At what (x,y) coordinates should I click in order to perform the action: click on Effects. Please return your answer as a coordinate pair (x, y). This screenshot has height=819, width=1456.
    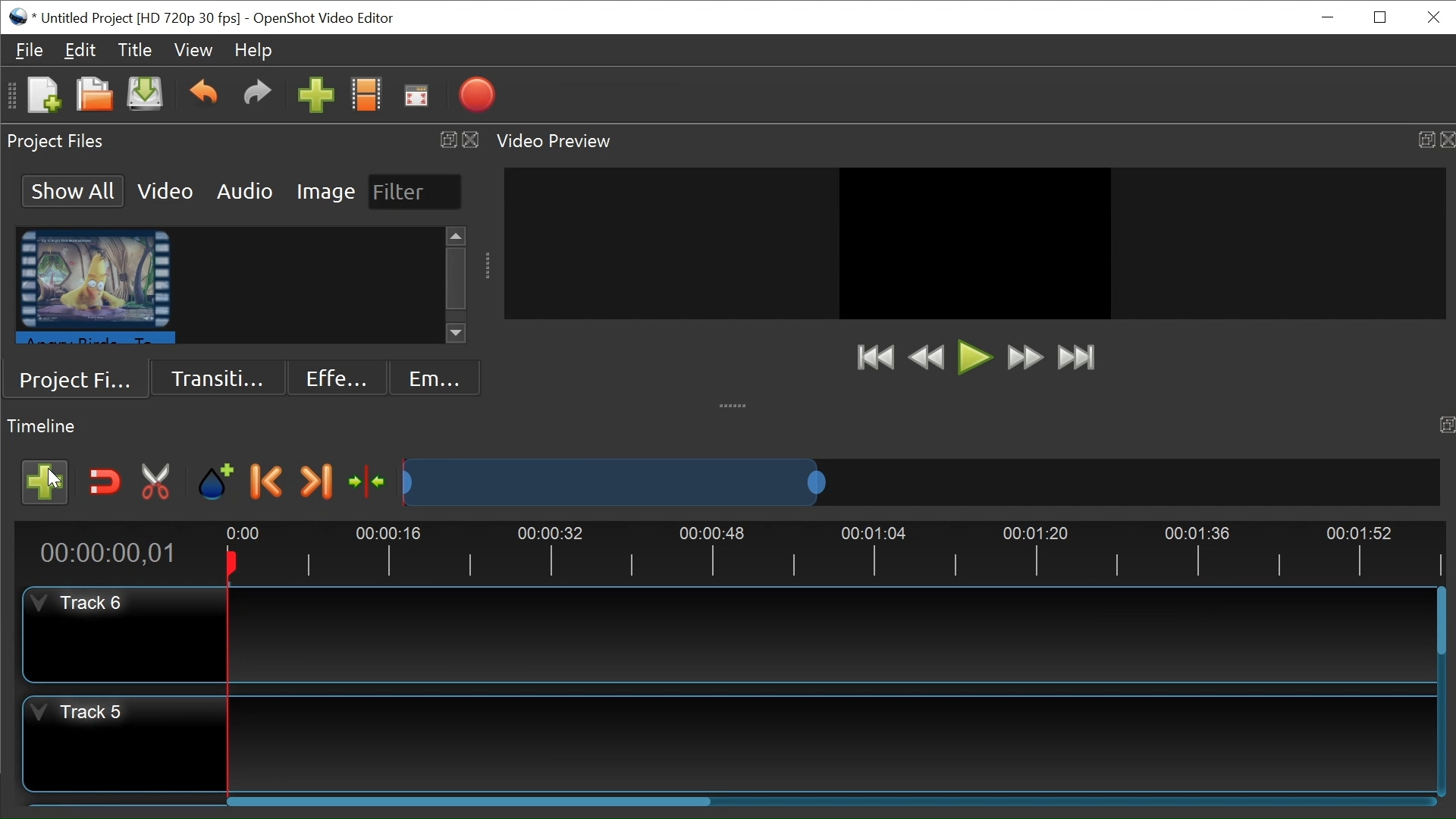
    Looking at the image, I should click on (339, 378).